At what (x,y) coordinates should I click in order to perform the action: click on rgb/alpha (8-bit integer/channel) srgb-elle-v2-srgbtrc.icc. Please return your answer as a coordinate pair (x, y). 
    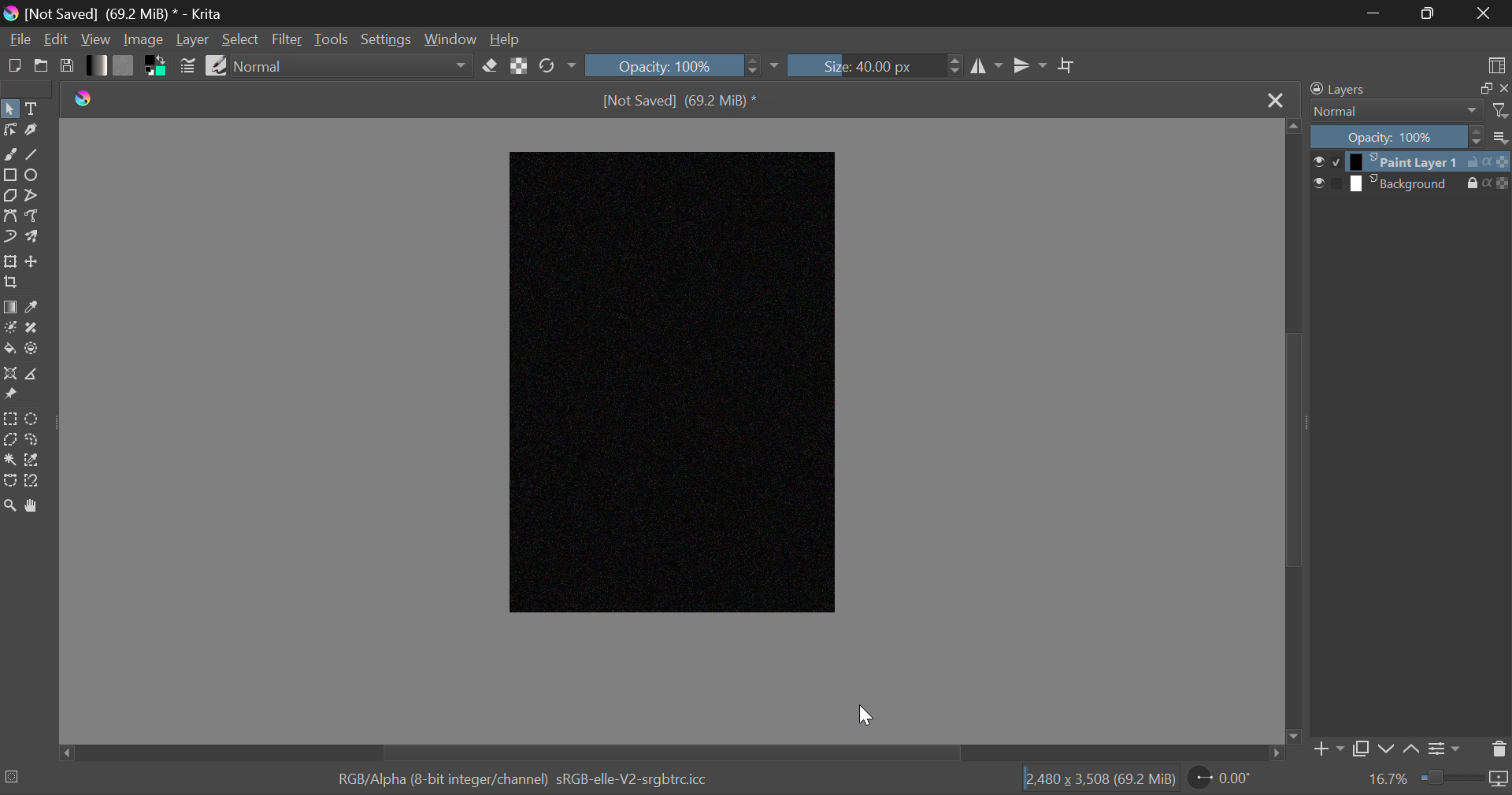
    Looking at the image, I should click on (531, 781).